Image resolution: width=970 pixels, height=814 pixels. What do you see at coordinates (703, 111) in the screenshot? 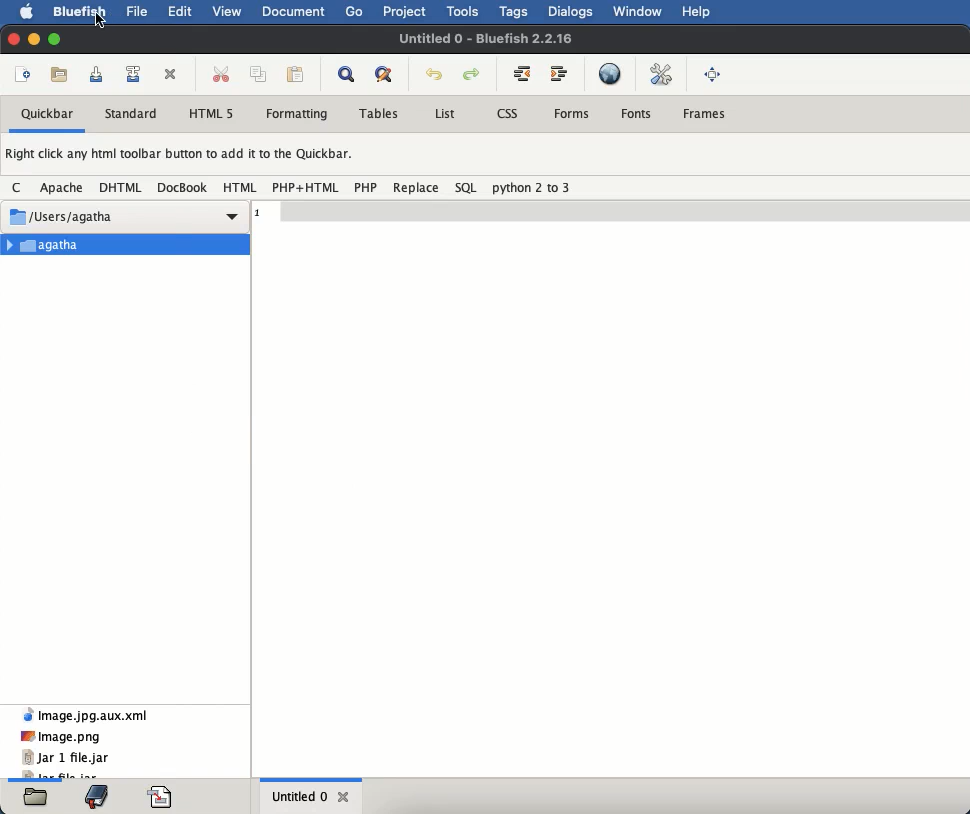
I see `frames` at bounding box center [703, 111].